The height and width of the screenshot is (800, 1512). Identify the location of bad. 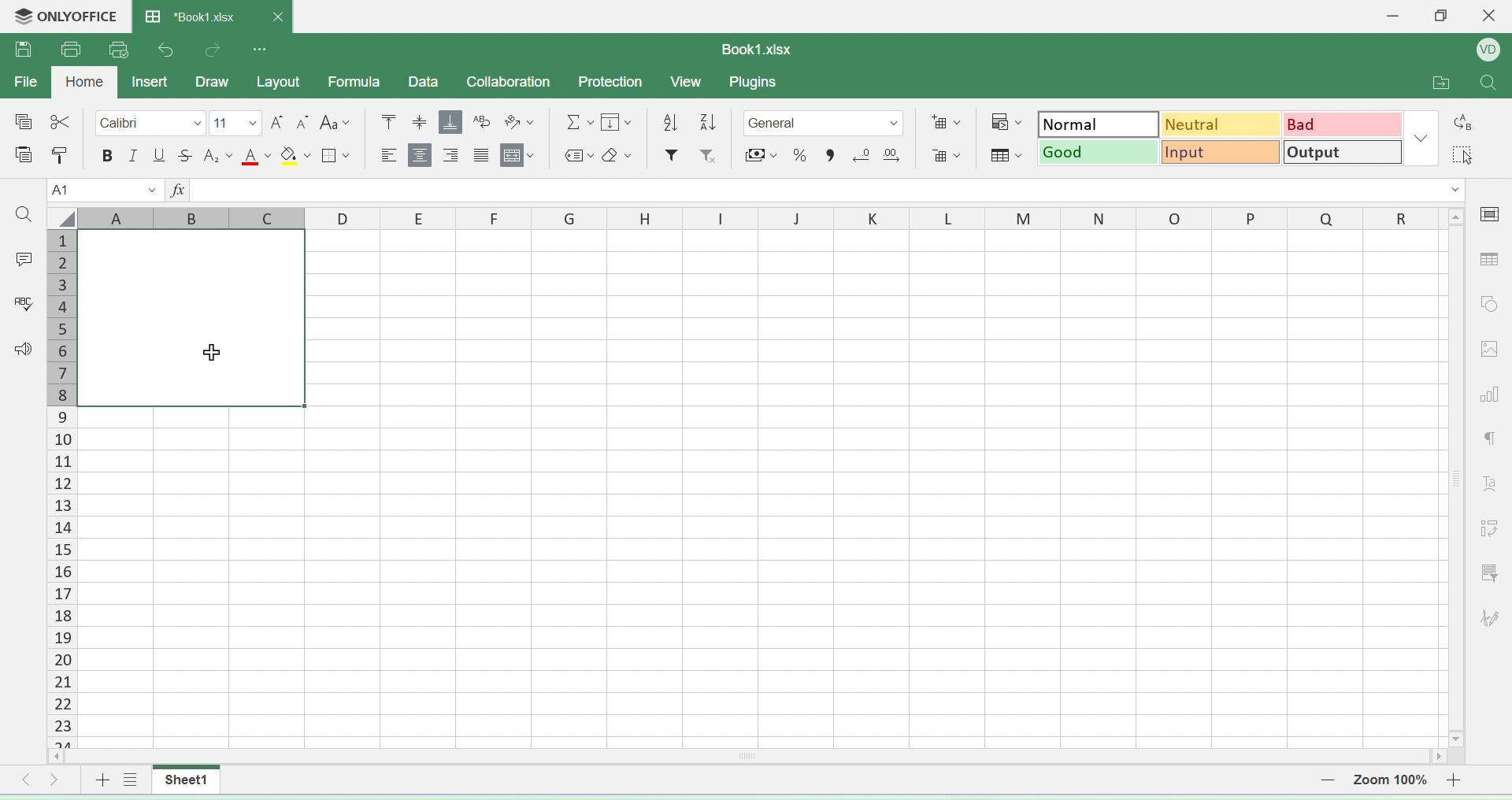
(1340, 124).